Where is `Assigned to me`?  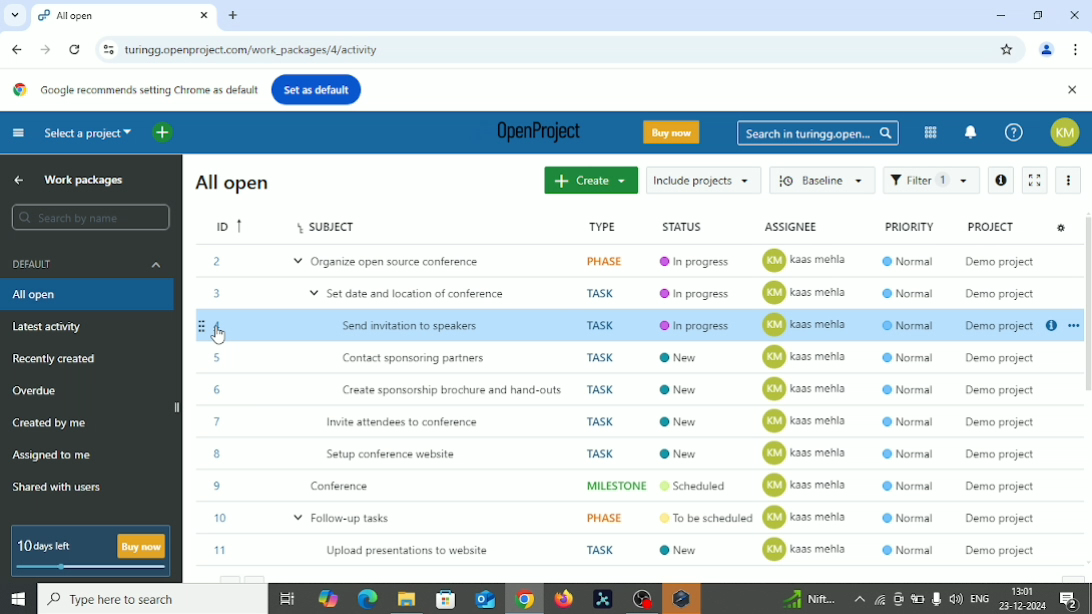
Assigned to me is located at coordinates (52, 454).